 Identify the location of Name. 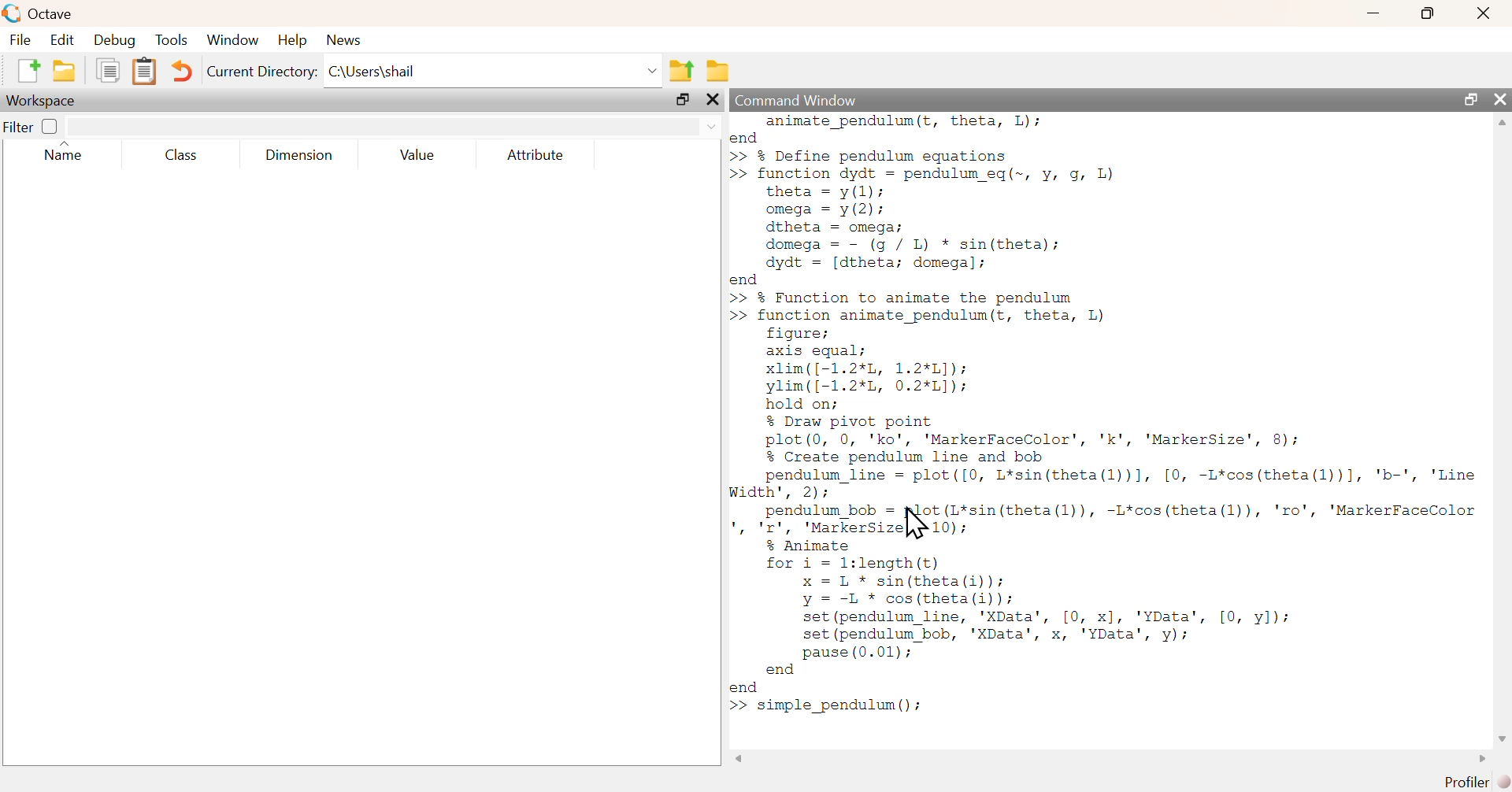
(72, 153).